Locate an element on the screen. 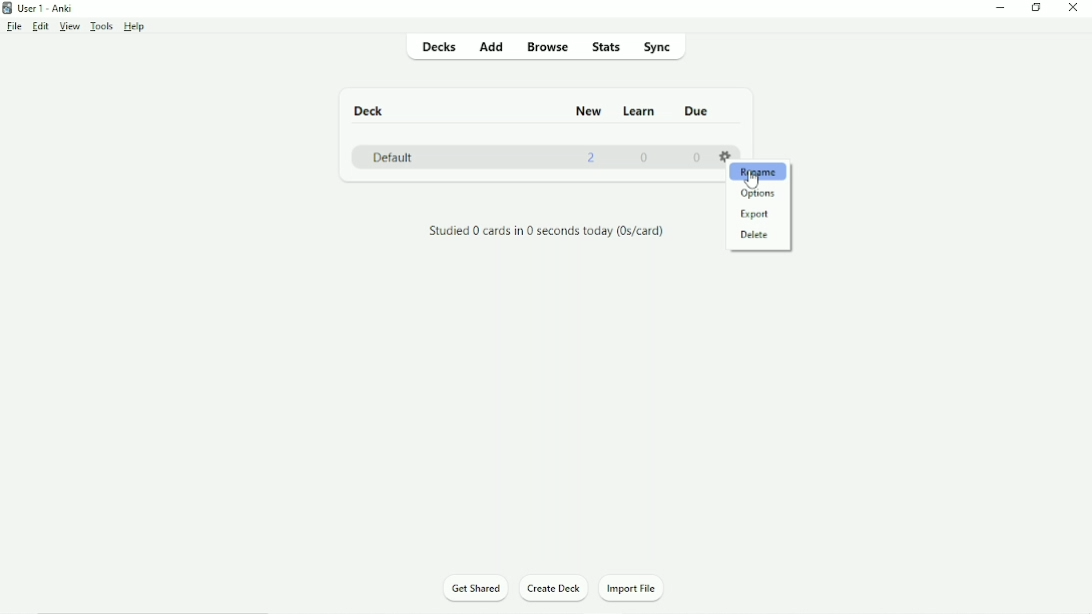 The width and height of the screenshot is (1092, 614). Learn is located at coordinates (641, 111).